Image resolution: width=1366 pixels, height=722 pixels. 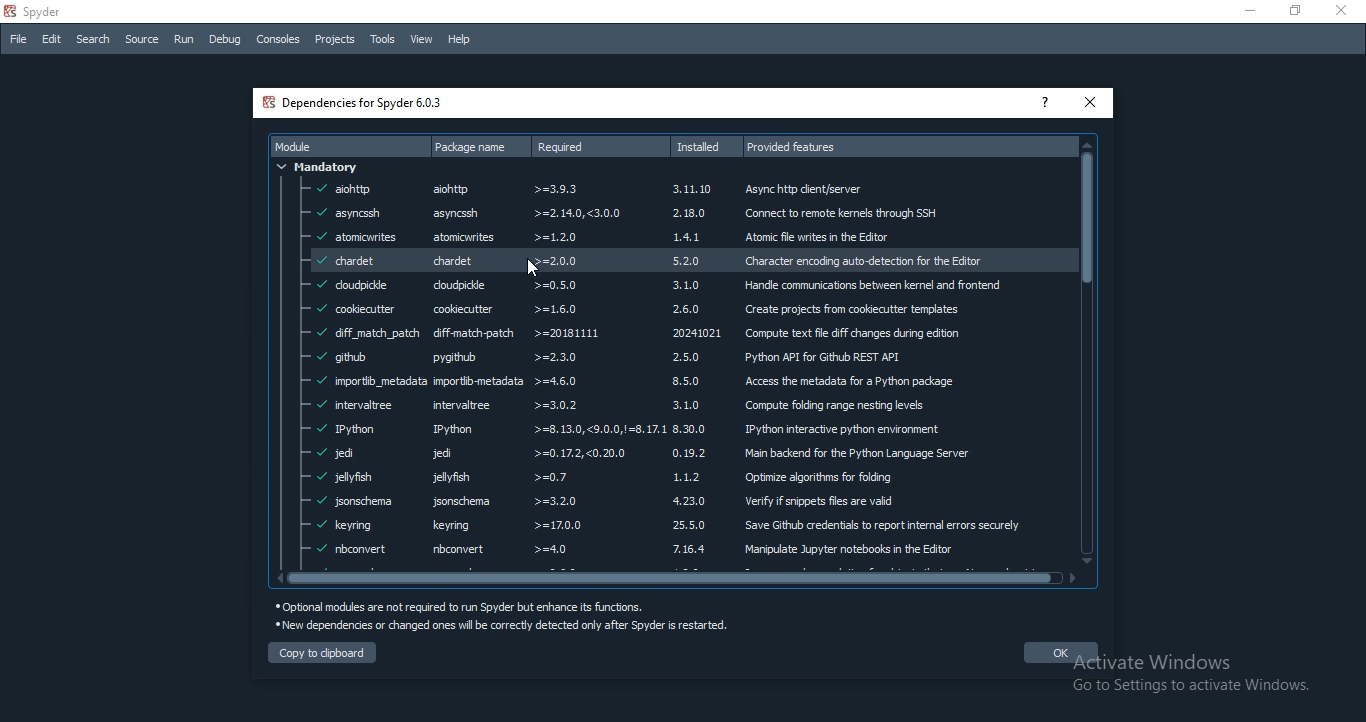 What do you see at coordinates (661, 350) in the screenshot?
I see `dependencies table` at bounding box center [661, 350].